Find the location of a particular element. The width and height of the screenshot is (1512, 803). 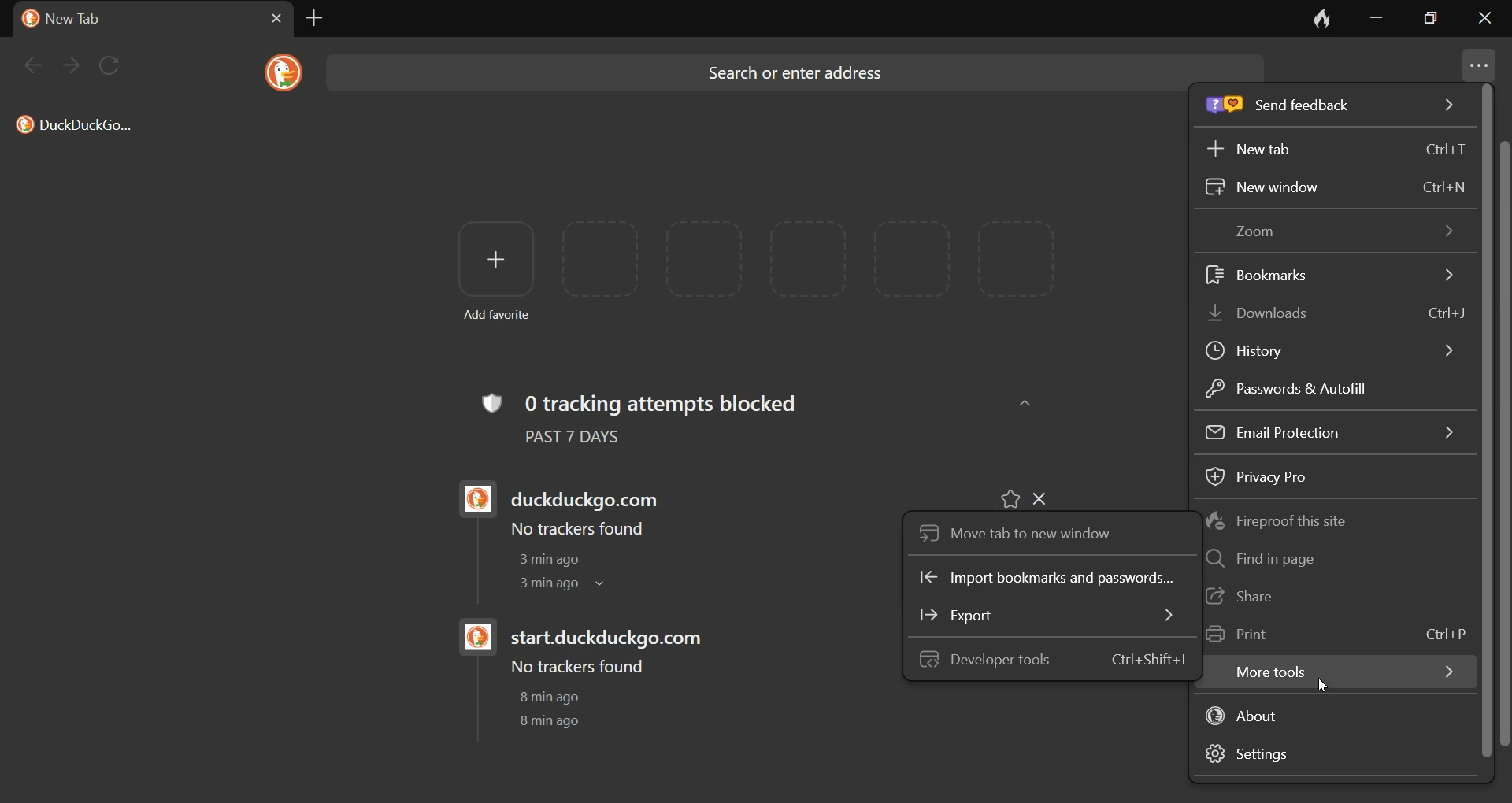

duckduck go is located at coordinates (27, 18).